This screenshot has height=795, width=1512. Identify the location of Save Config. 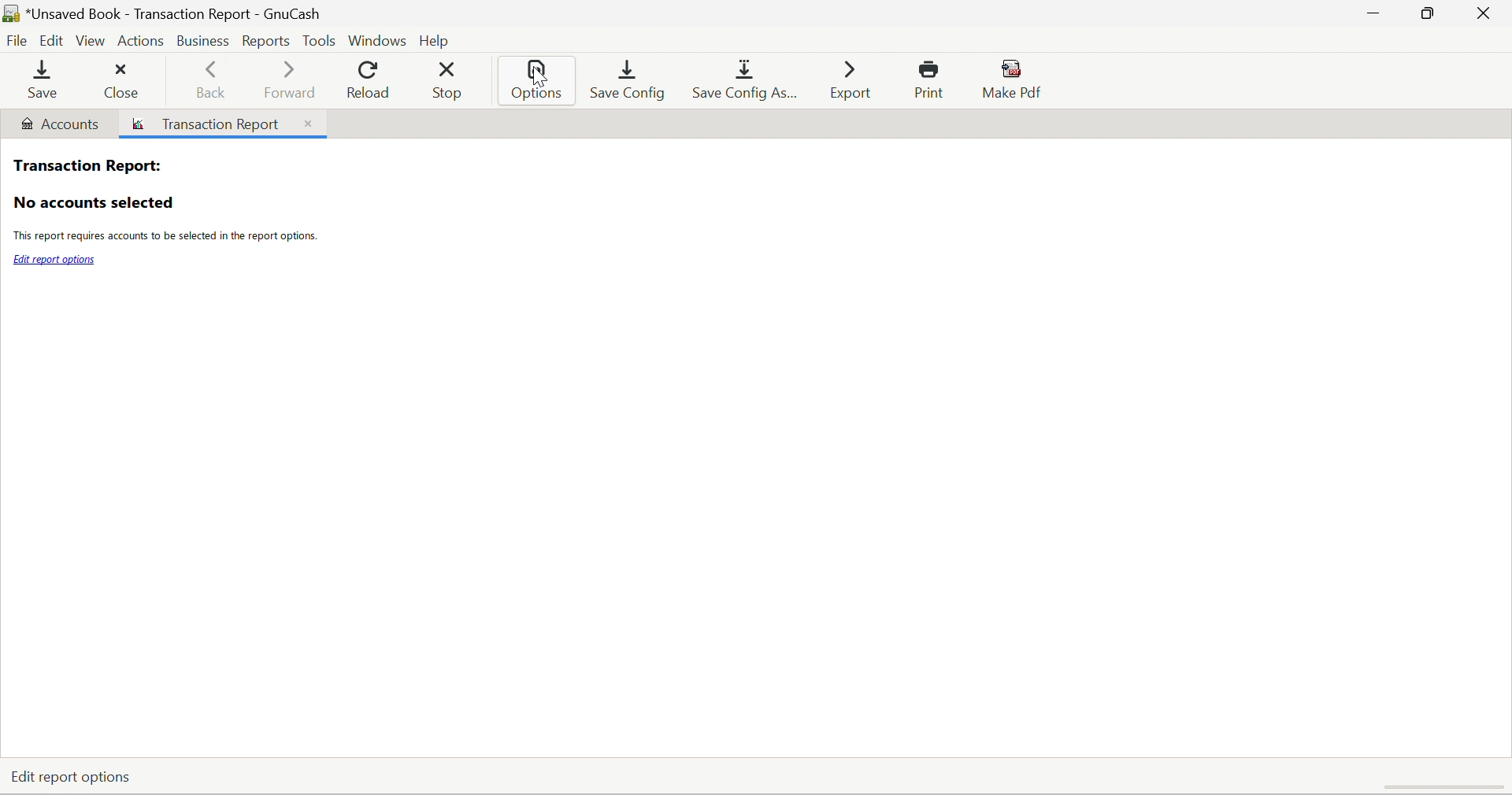
(630, 79).